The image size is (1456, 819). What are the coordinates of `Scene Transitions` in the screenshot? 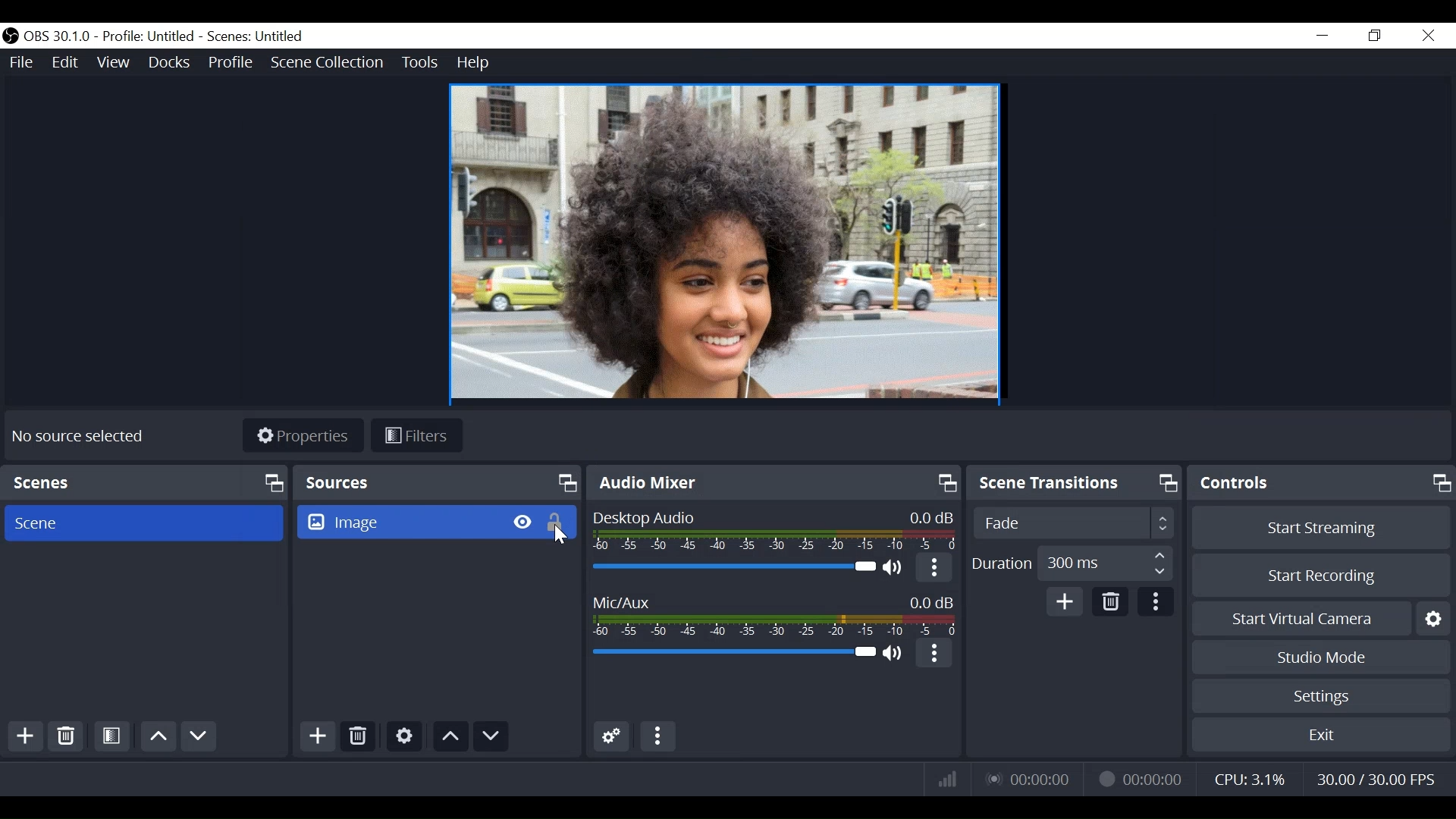 It's located at (1075, 484).